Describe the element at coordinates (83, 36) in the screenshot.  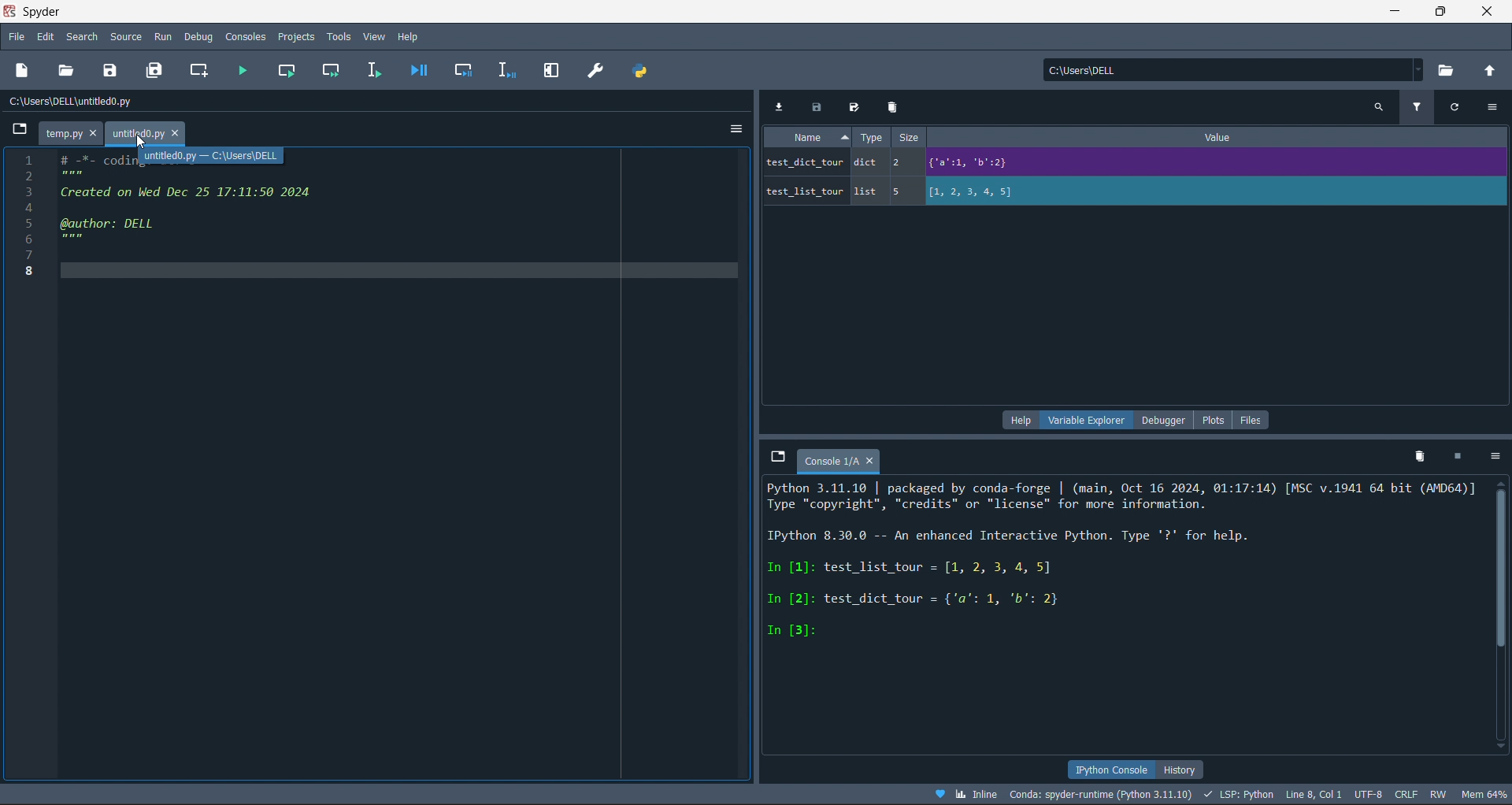
I see `search` at that location.